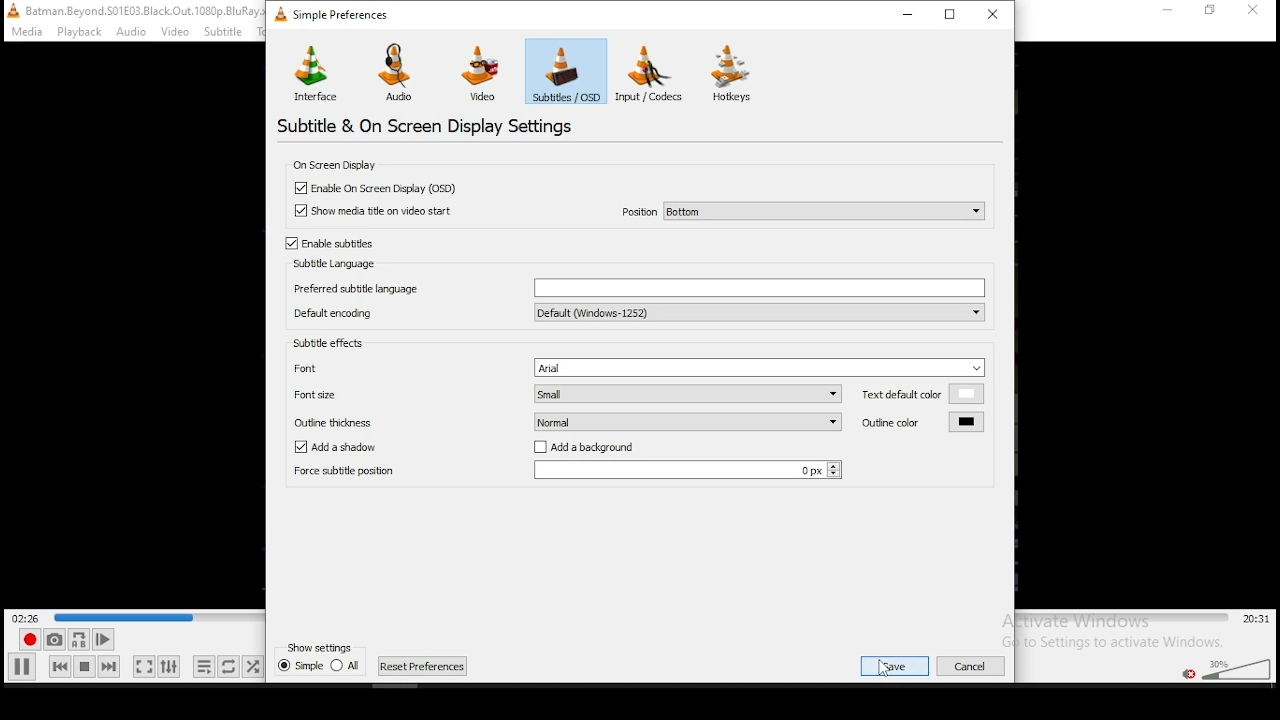 Image resolution: width=1280 pixels, height=720 pixels. Describe the element at coordinates (204, 668) in the screenshot. I see `toggle playlist` at that location.